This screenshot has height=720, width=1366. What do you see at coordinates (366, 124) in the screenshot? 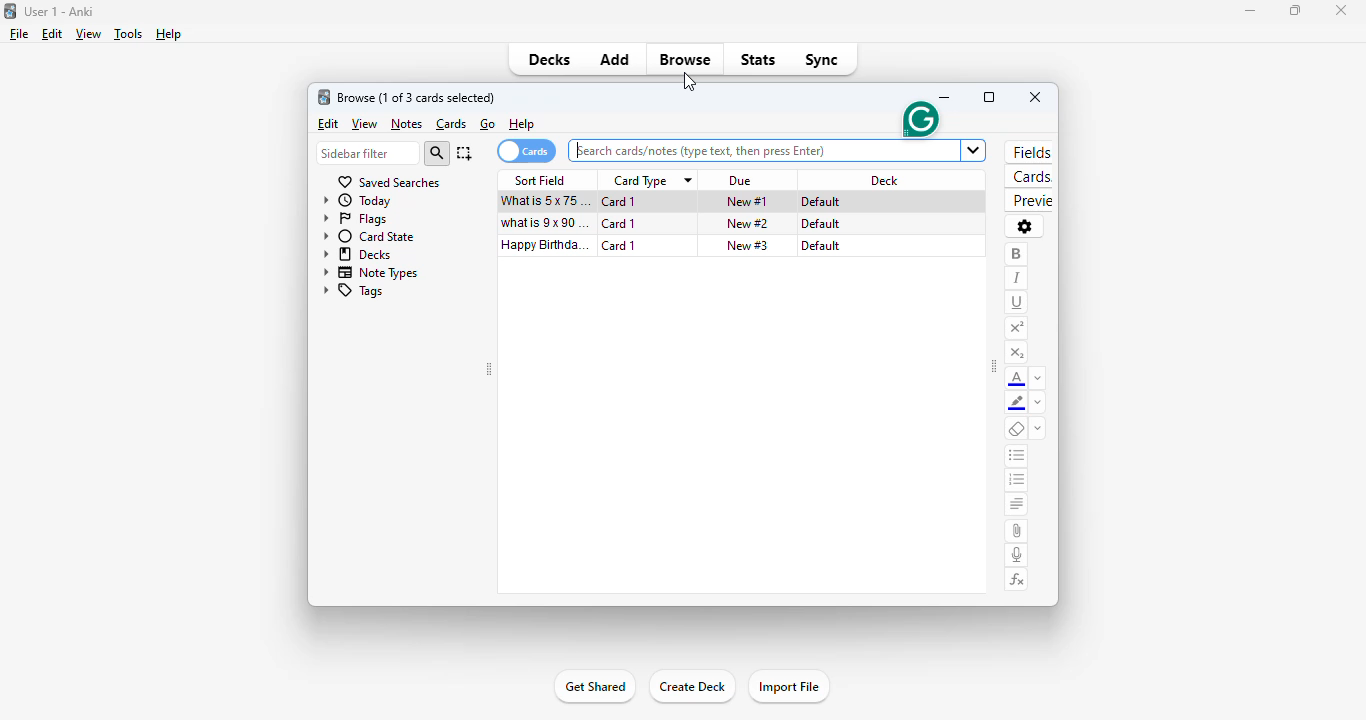
I see `view` at bounding box center [366, 124].